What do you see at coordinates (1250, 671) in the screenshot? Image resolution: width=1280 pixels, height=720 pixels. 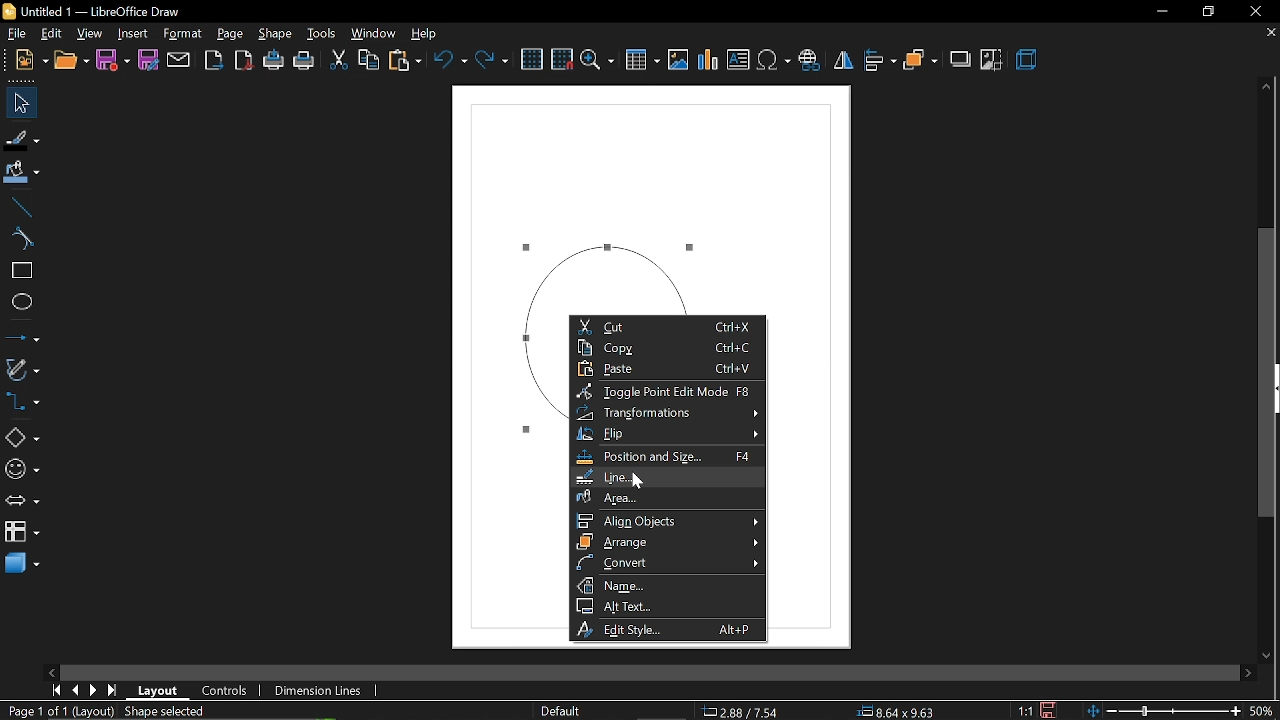 I see `move right` at bounding box center [1250, 671].